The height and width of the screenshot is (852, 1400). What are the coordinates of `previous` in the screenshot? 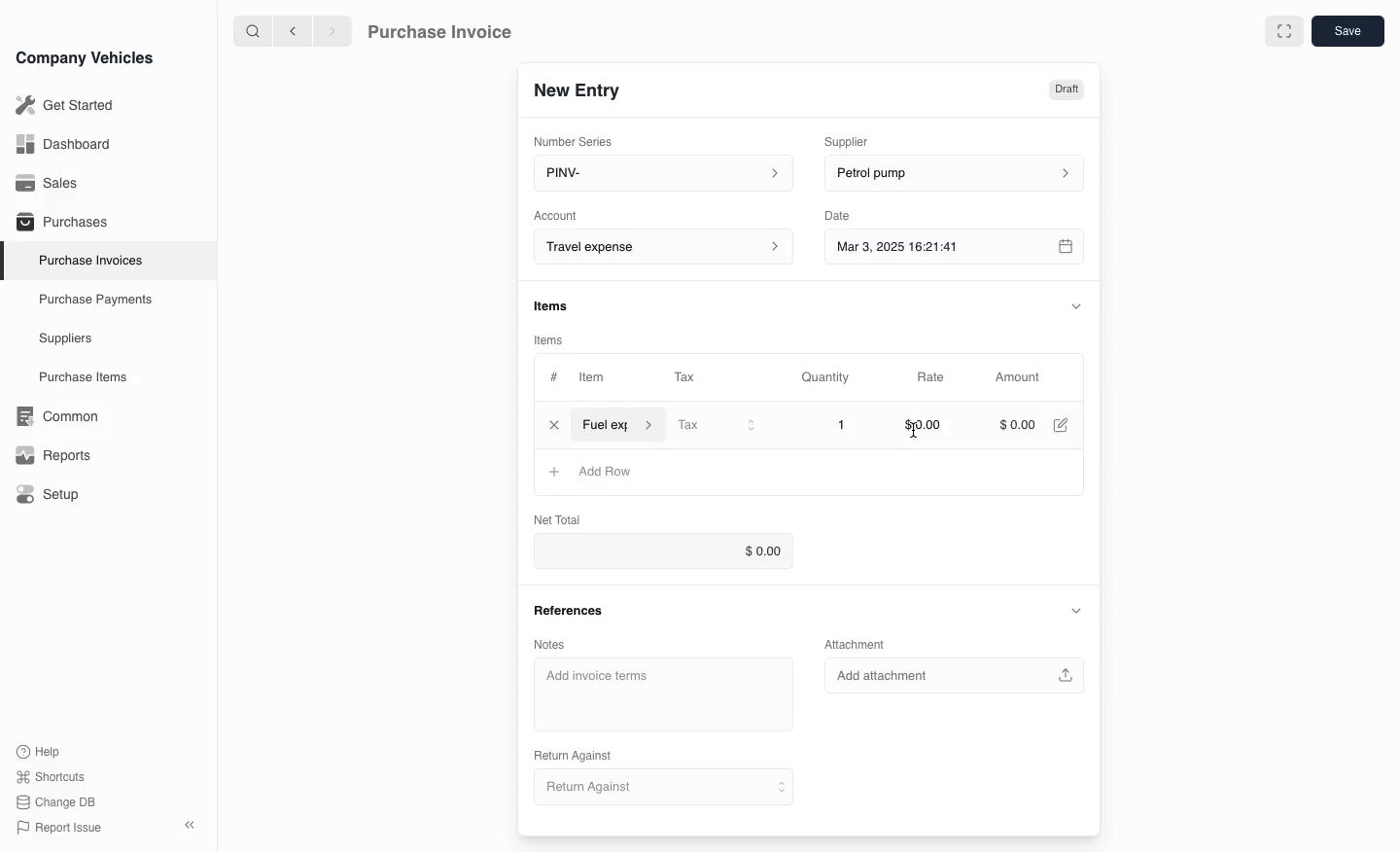 It's located at (291, 30).